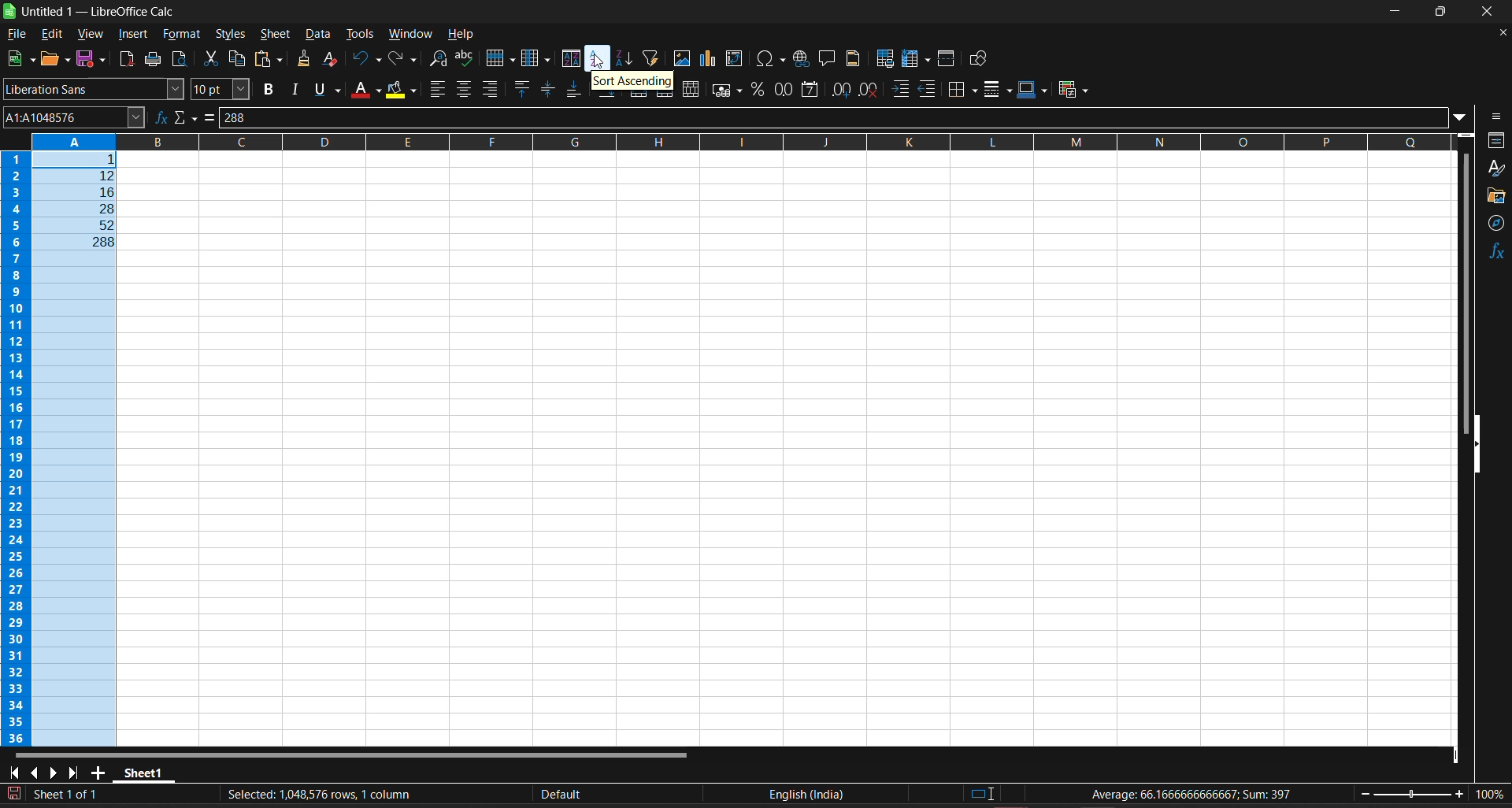  What do you see at coordinates (501, 58) in the screenshot?
I see `row` at bounding box center [501, 58].